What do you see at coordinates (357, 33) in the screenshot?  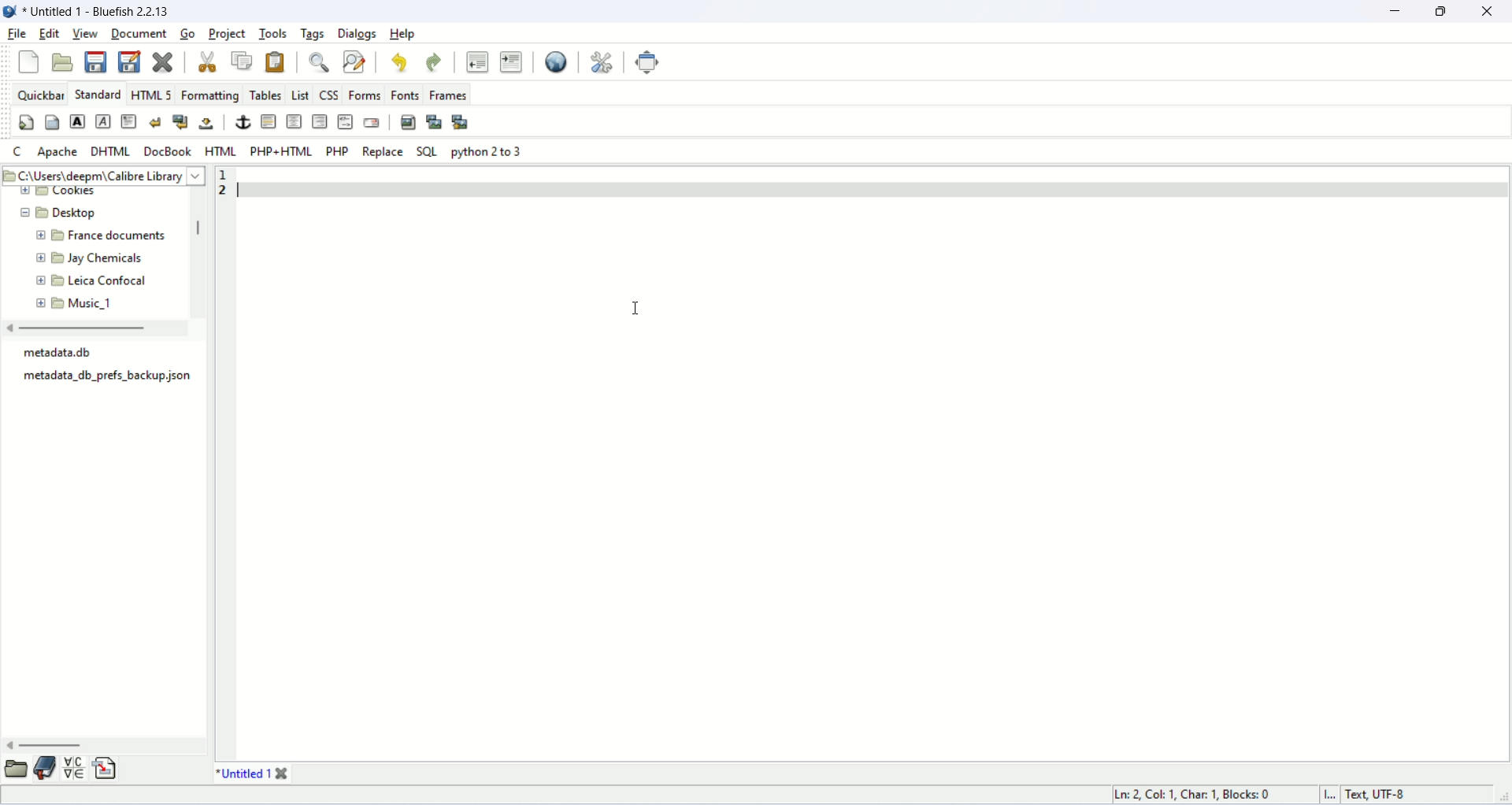 I see `dialogs` at bounding box center [357, 33].